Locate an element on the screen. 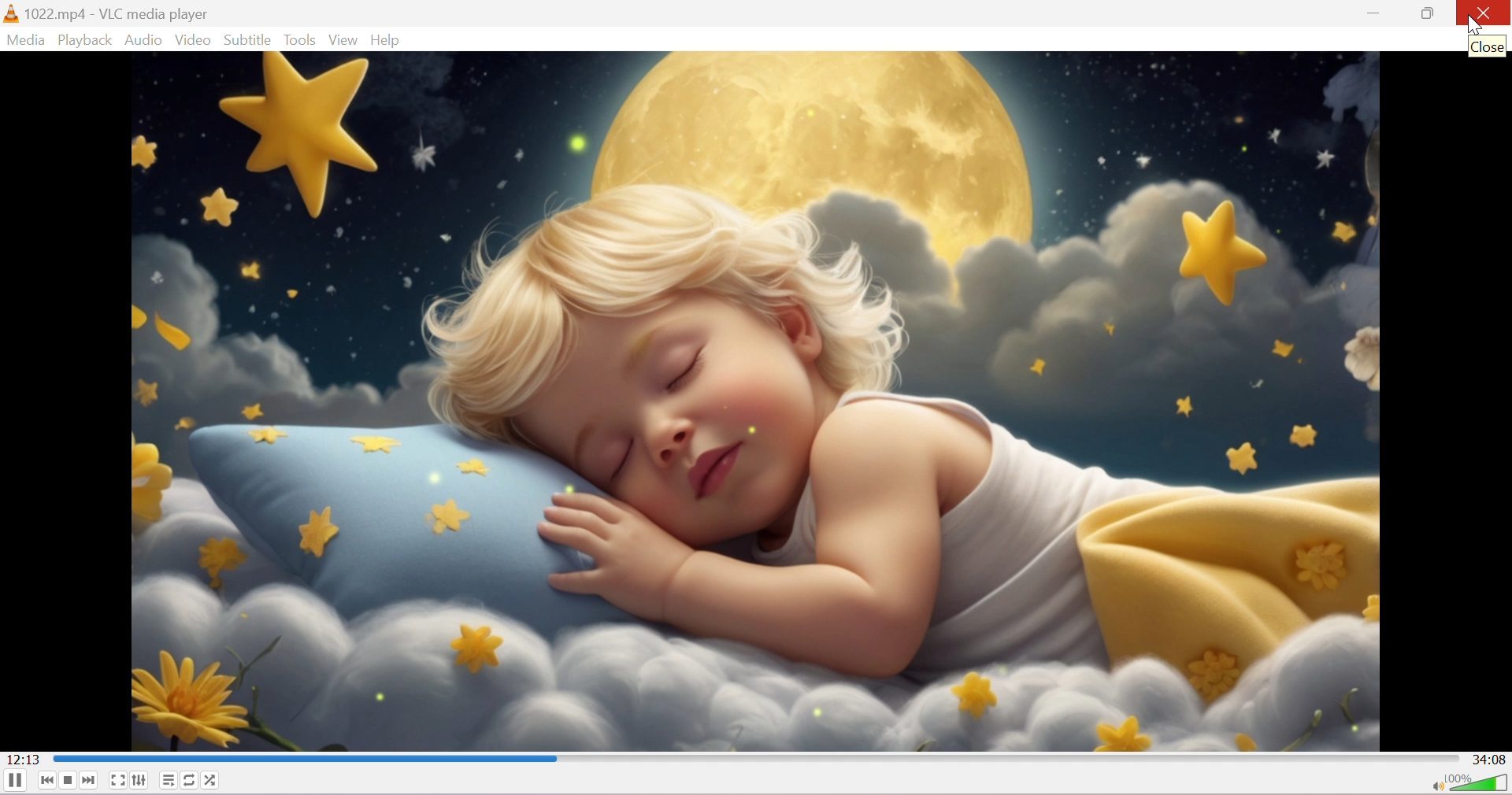 The width and height of the screenshot is (1512, 795). Help is located at coordinates (390, 40).